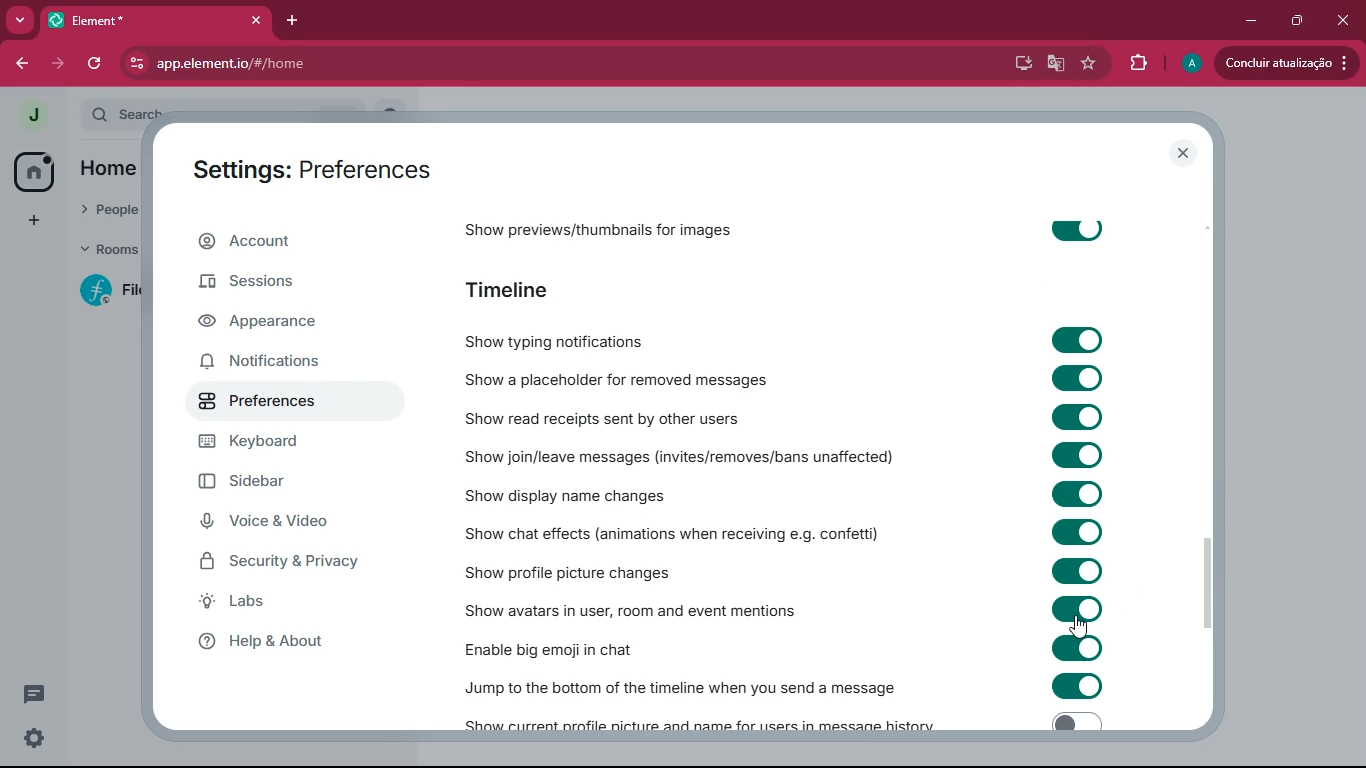  Describe the element at coordinates (1205, 586) in the screenshot. I see `vertical scrollbar` at that location.